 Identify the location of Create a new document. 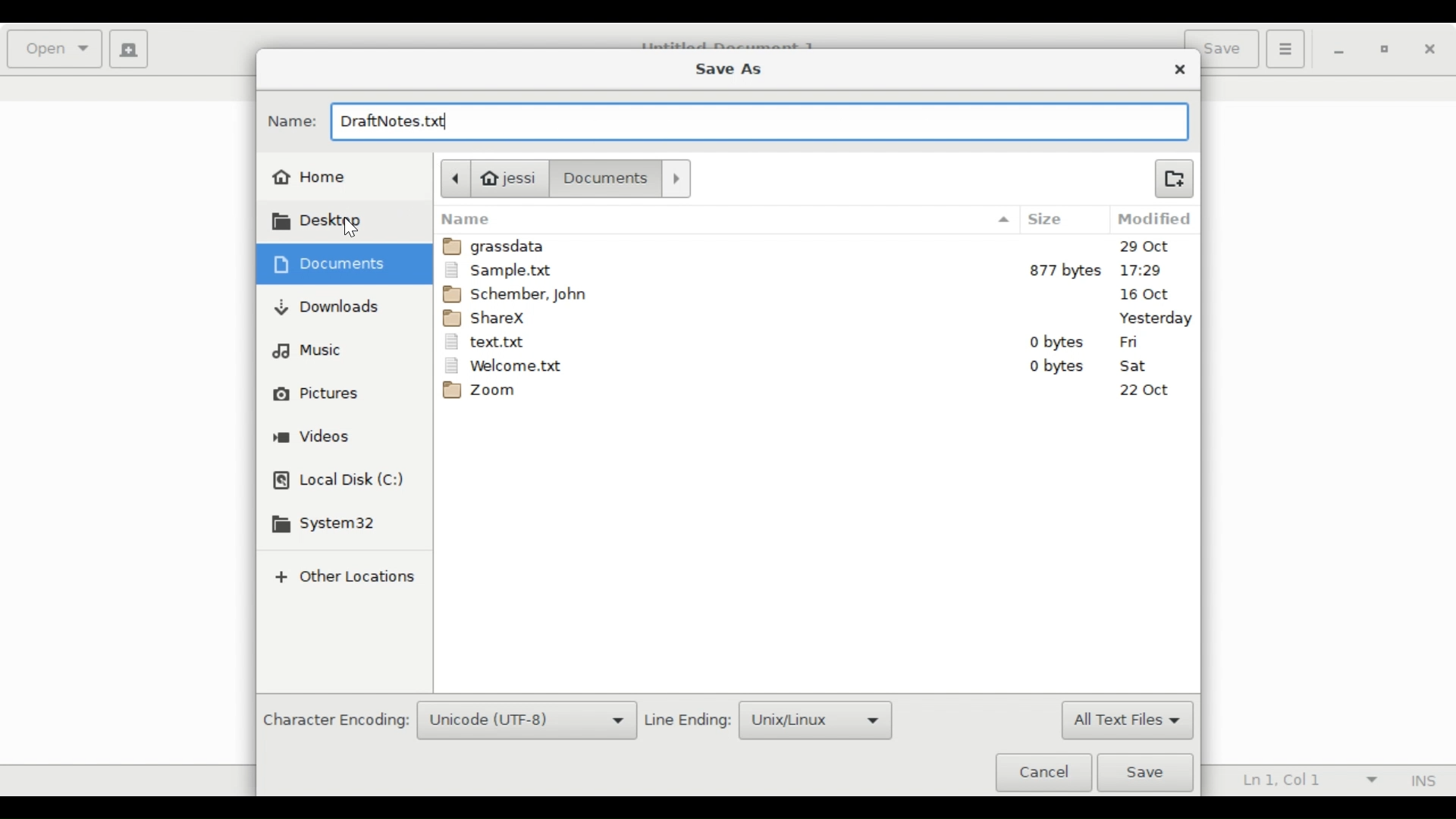
(130, 49).